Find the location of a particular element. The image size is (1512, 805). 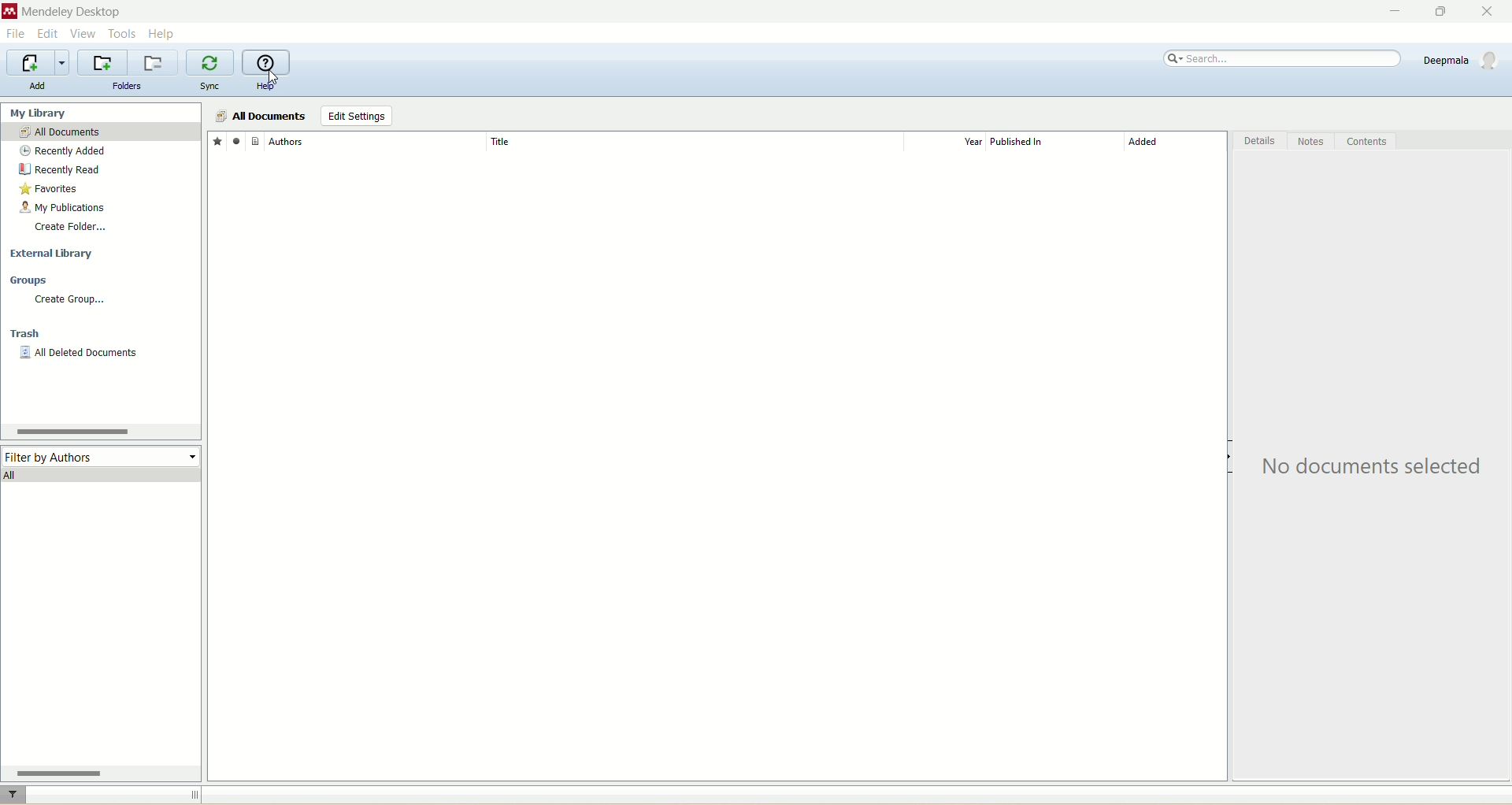

filter is located at coordinates (13, 795).